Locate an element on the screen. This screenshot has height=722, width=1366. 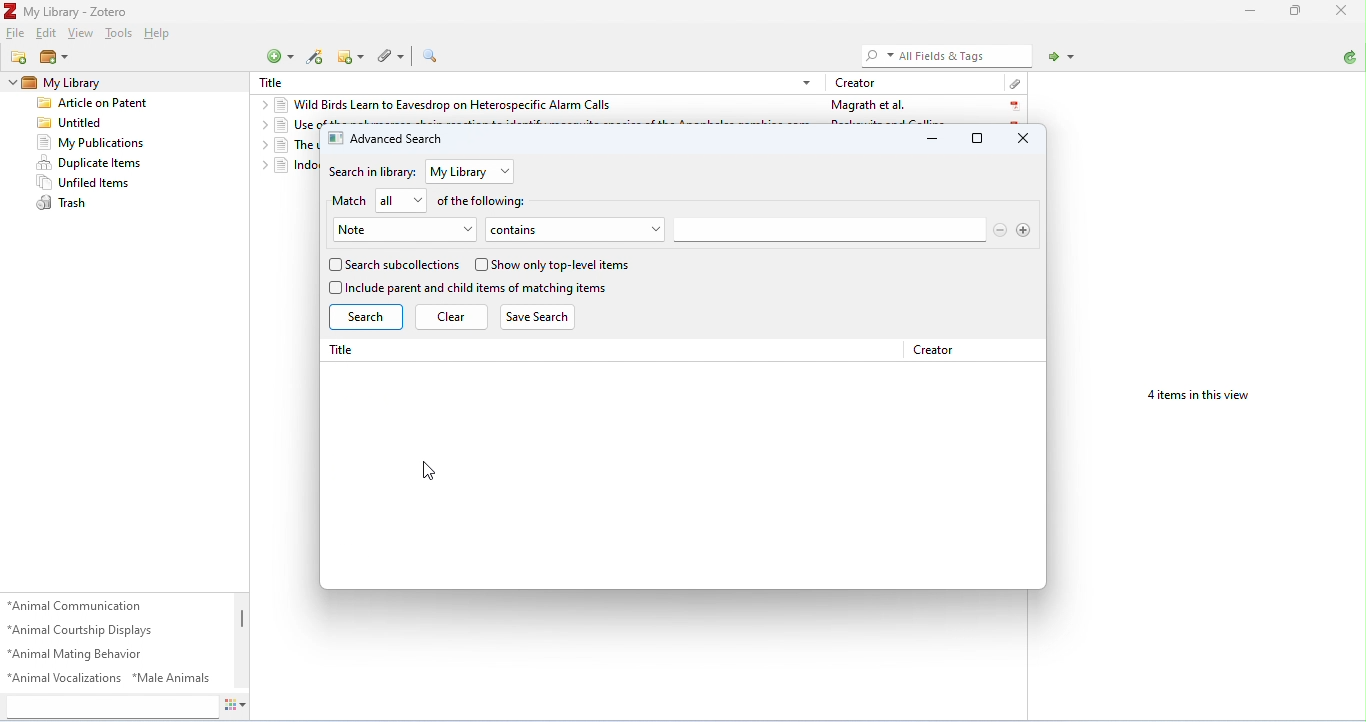
advanced search is located at coordinates (386, 139).